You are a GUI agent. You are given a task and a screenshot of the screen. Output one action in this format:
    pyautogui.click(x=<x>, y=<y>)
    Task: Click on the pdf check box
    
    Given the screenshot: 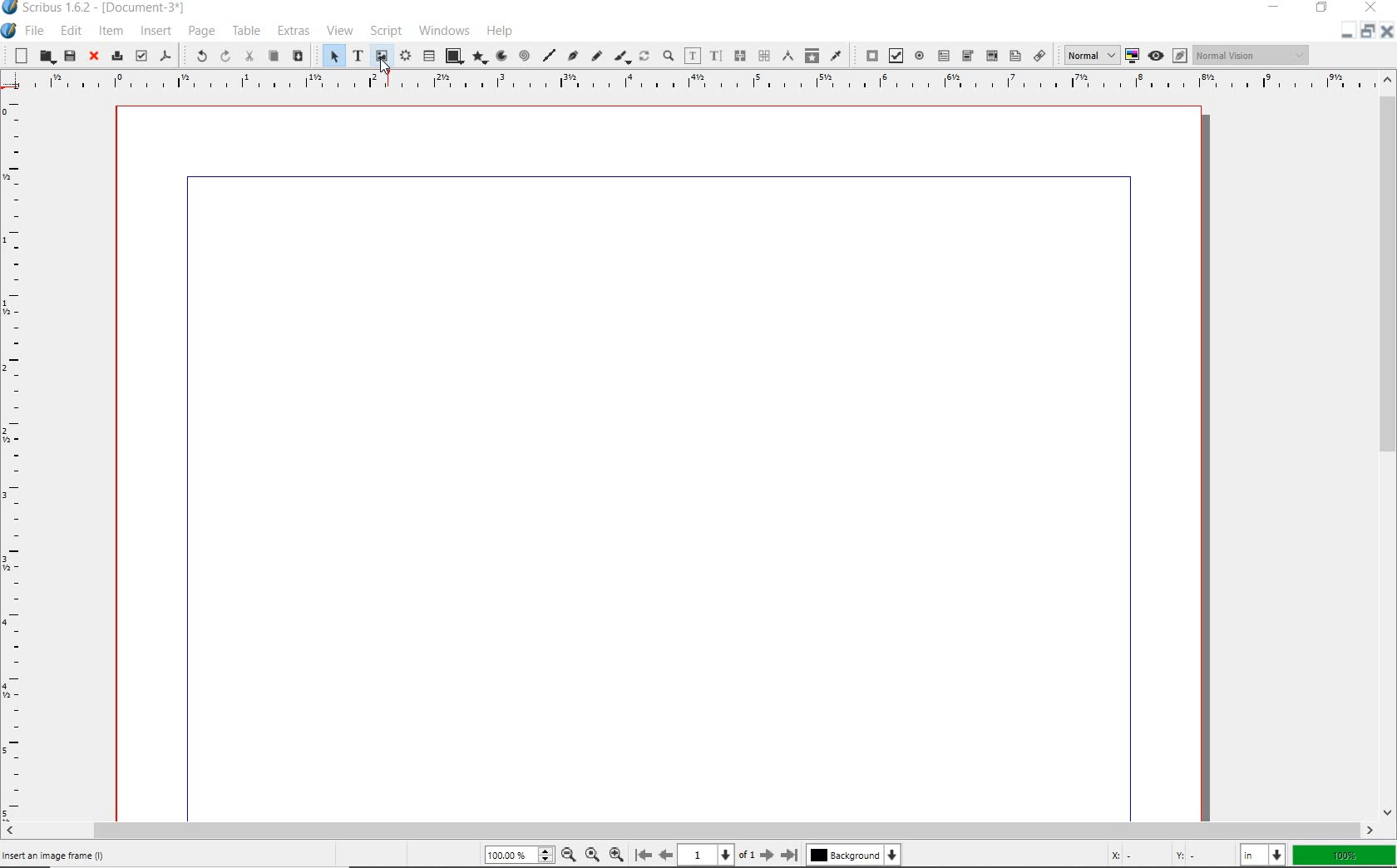 What is the action you would take?
    pyautogui.click(x=894, y=55)
    